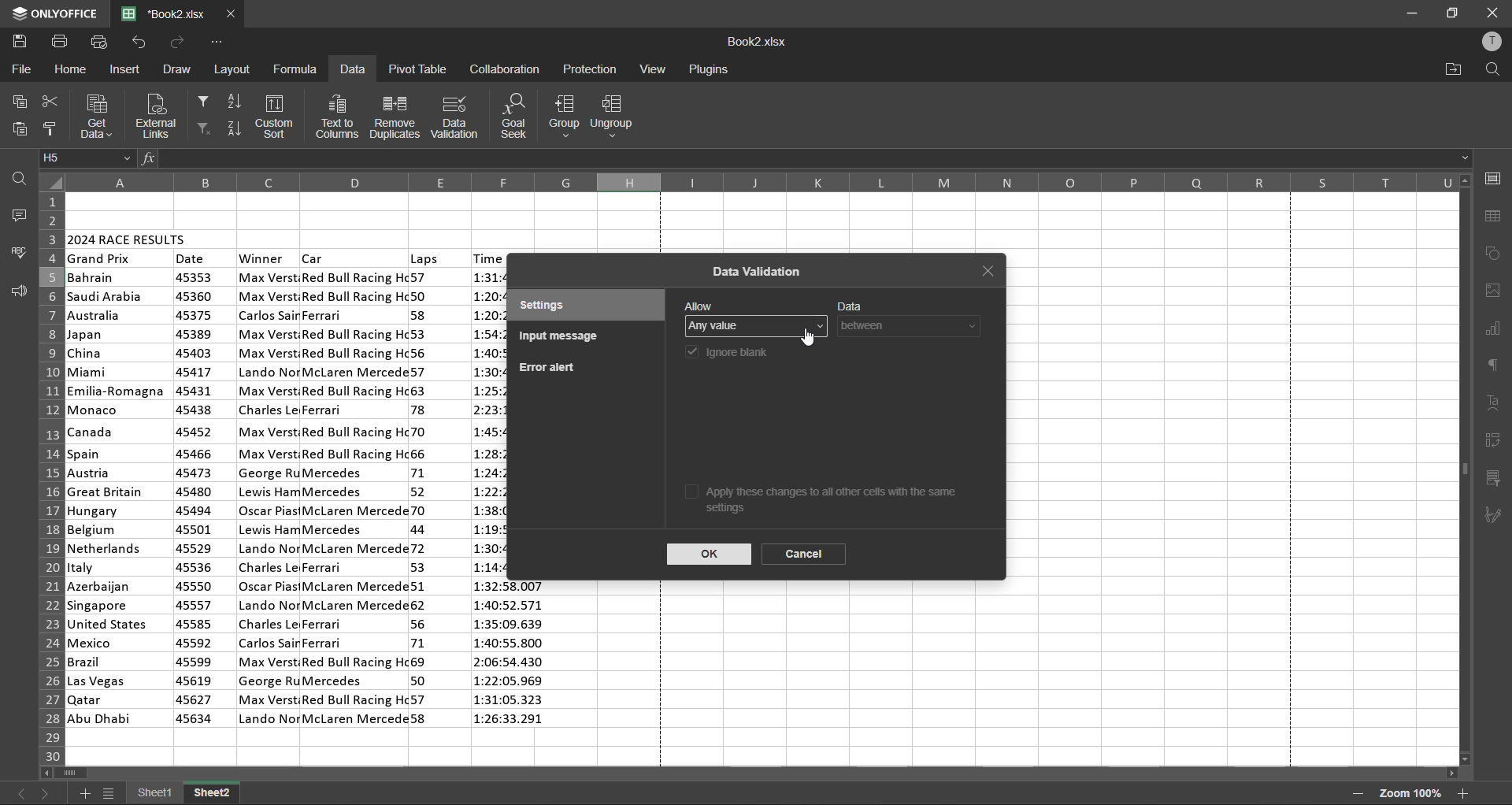  What do you see at coordinates (298, 68) in the screenshot?
I see `formula` at bounding box center [298, 68].